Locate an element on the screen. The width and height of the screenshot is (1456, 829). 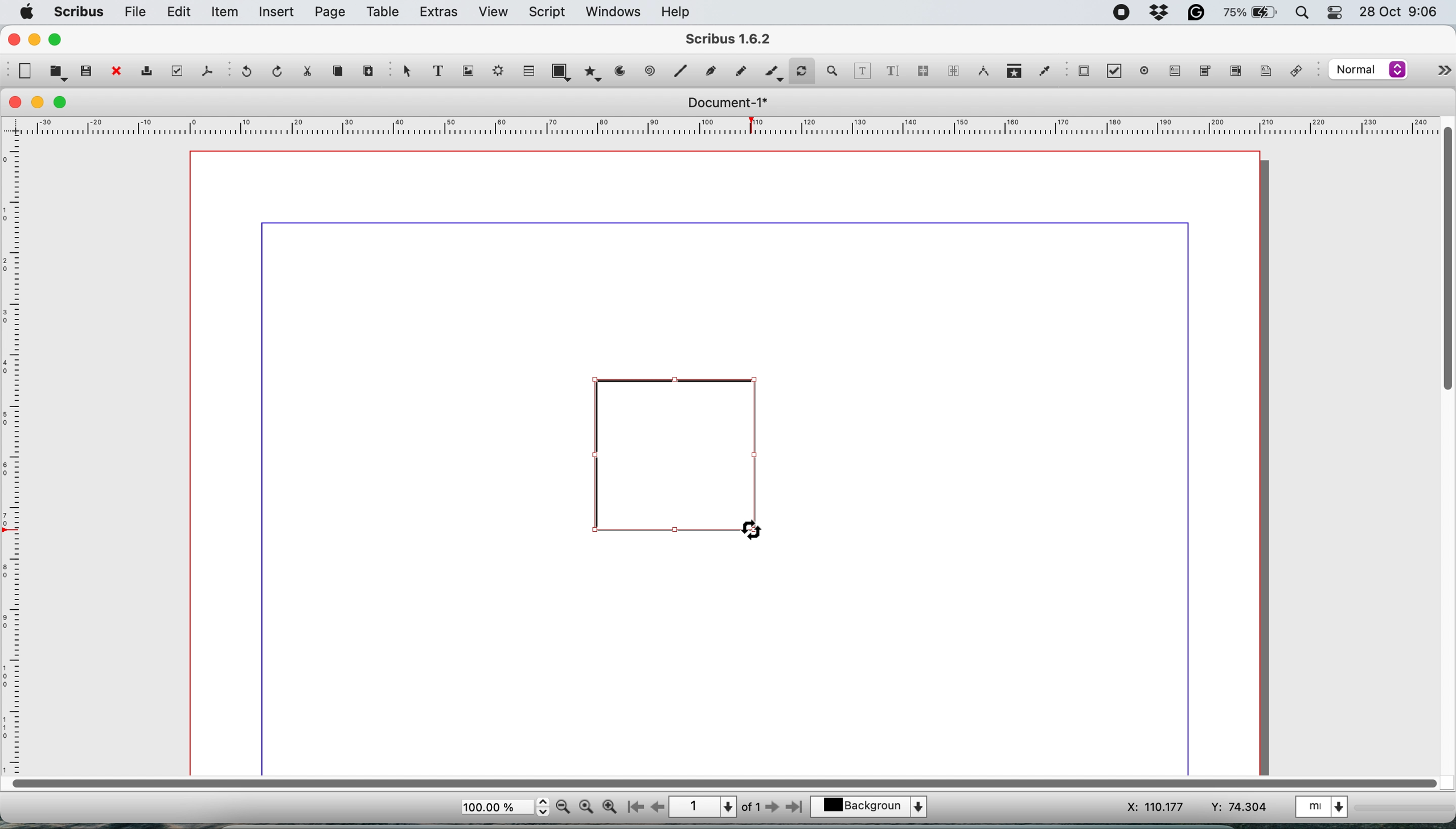
print is located at coordinates (151, 72).